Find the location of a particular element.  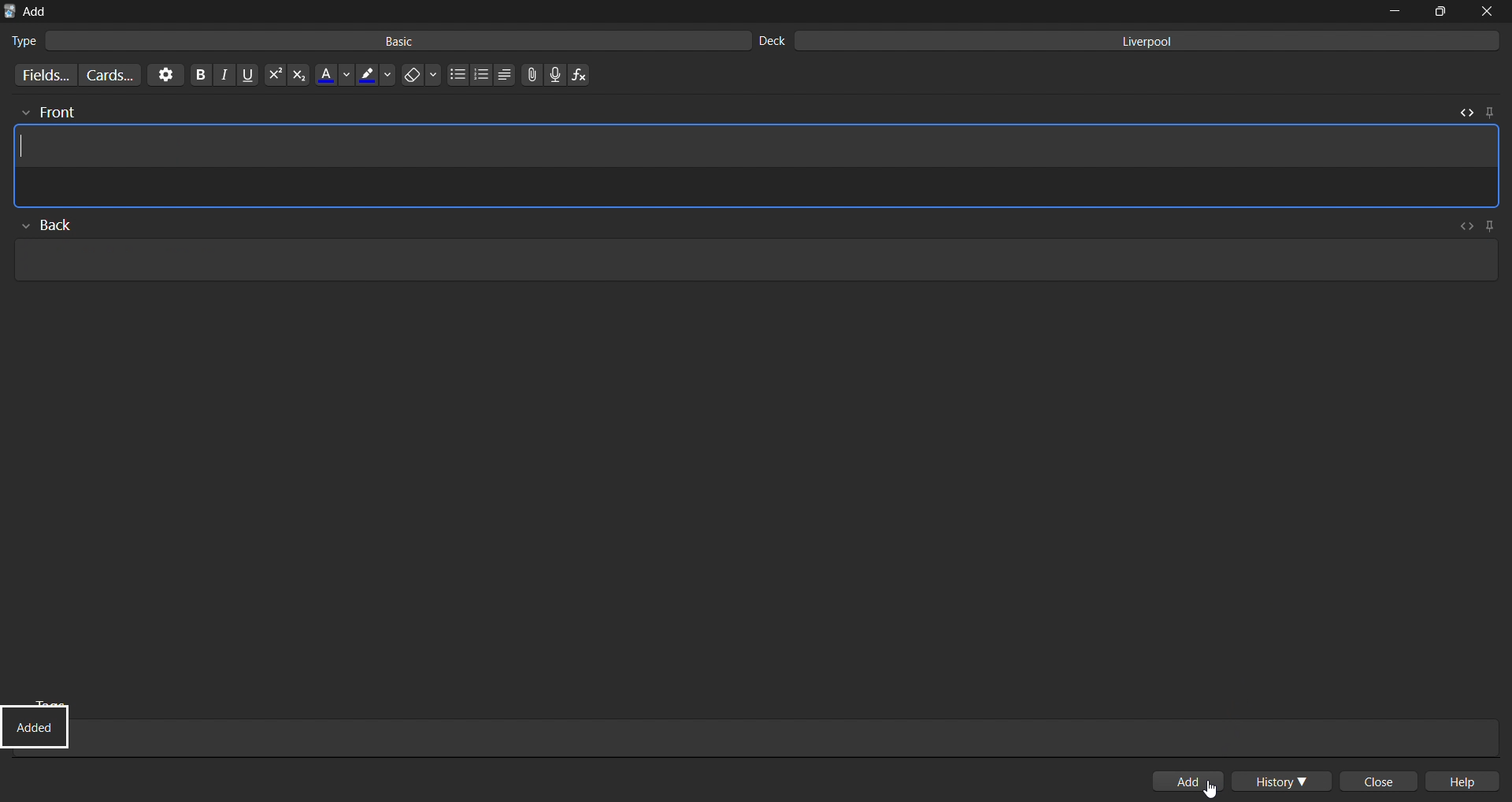

back is located at coordinates (56, 222).